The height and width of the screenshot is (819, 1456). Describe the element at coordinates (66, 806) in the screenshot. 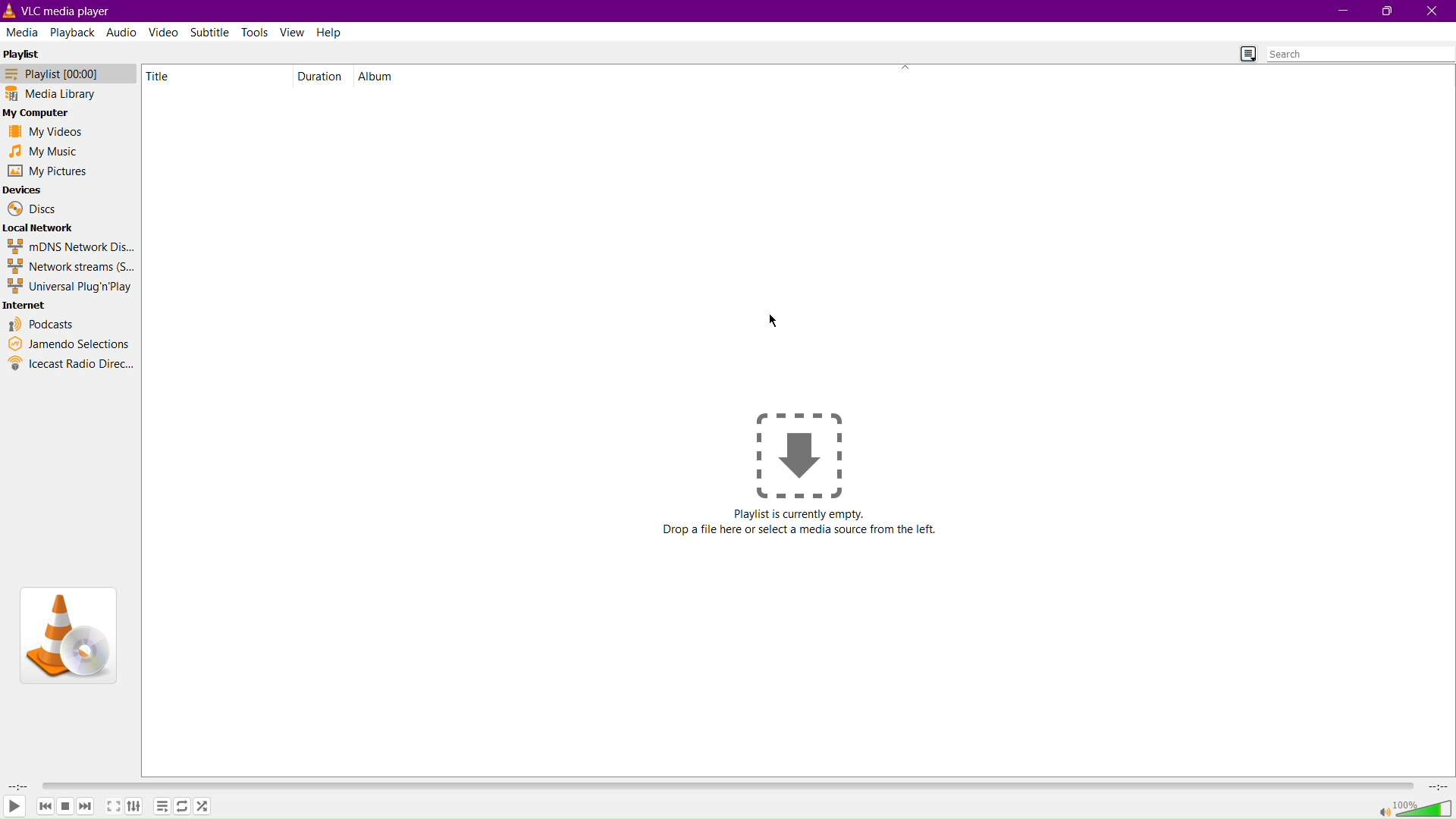

I see `Stop` at that location.